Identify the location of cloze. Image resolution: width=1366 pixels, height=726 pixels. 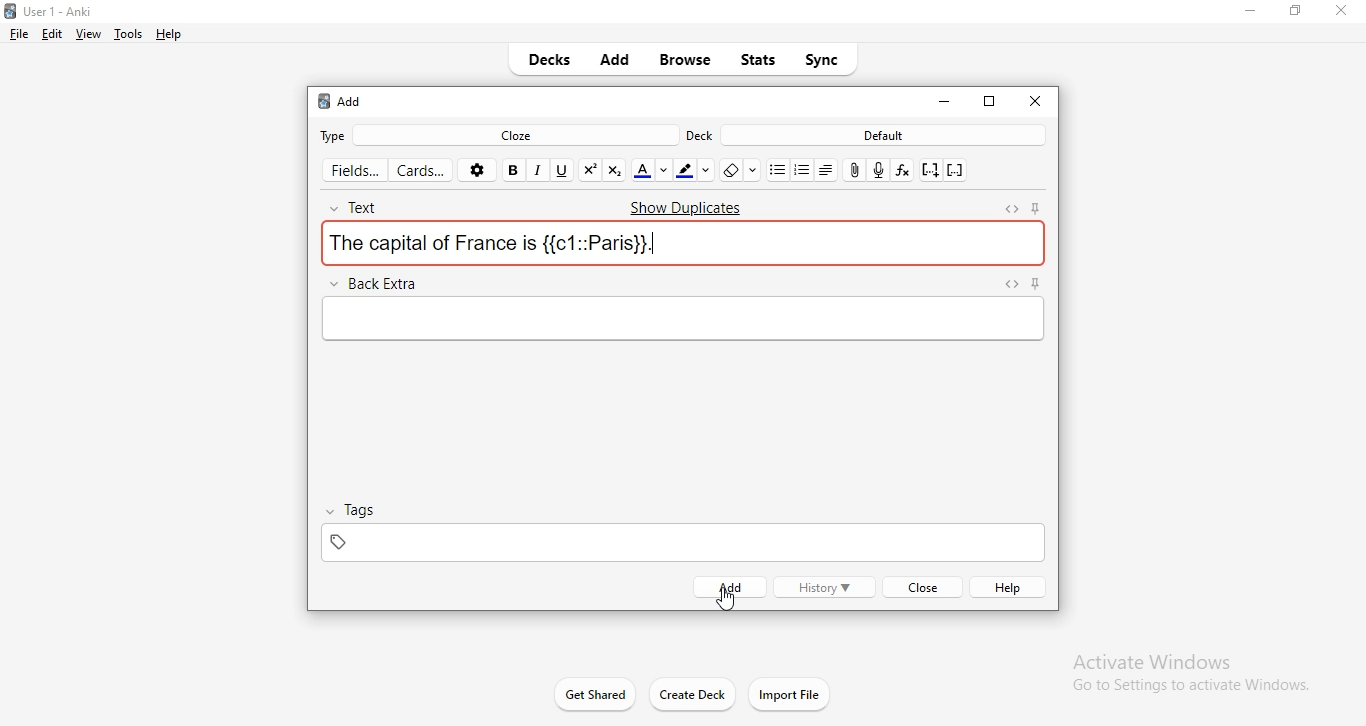
(521, 134).